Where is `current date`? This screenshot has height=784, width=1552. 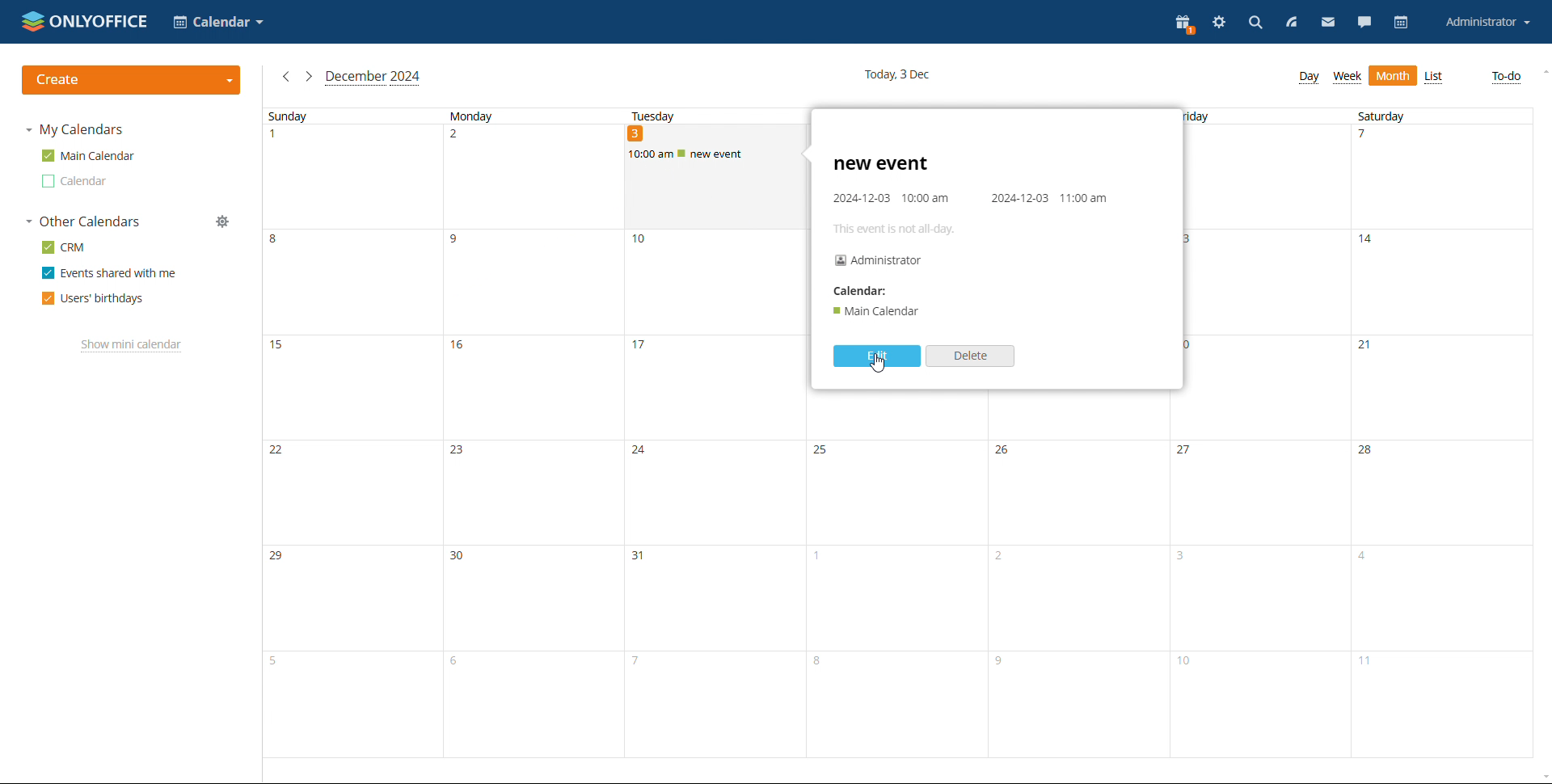 current date is located at coordinates (896, 76).